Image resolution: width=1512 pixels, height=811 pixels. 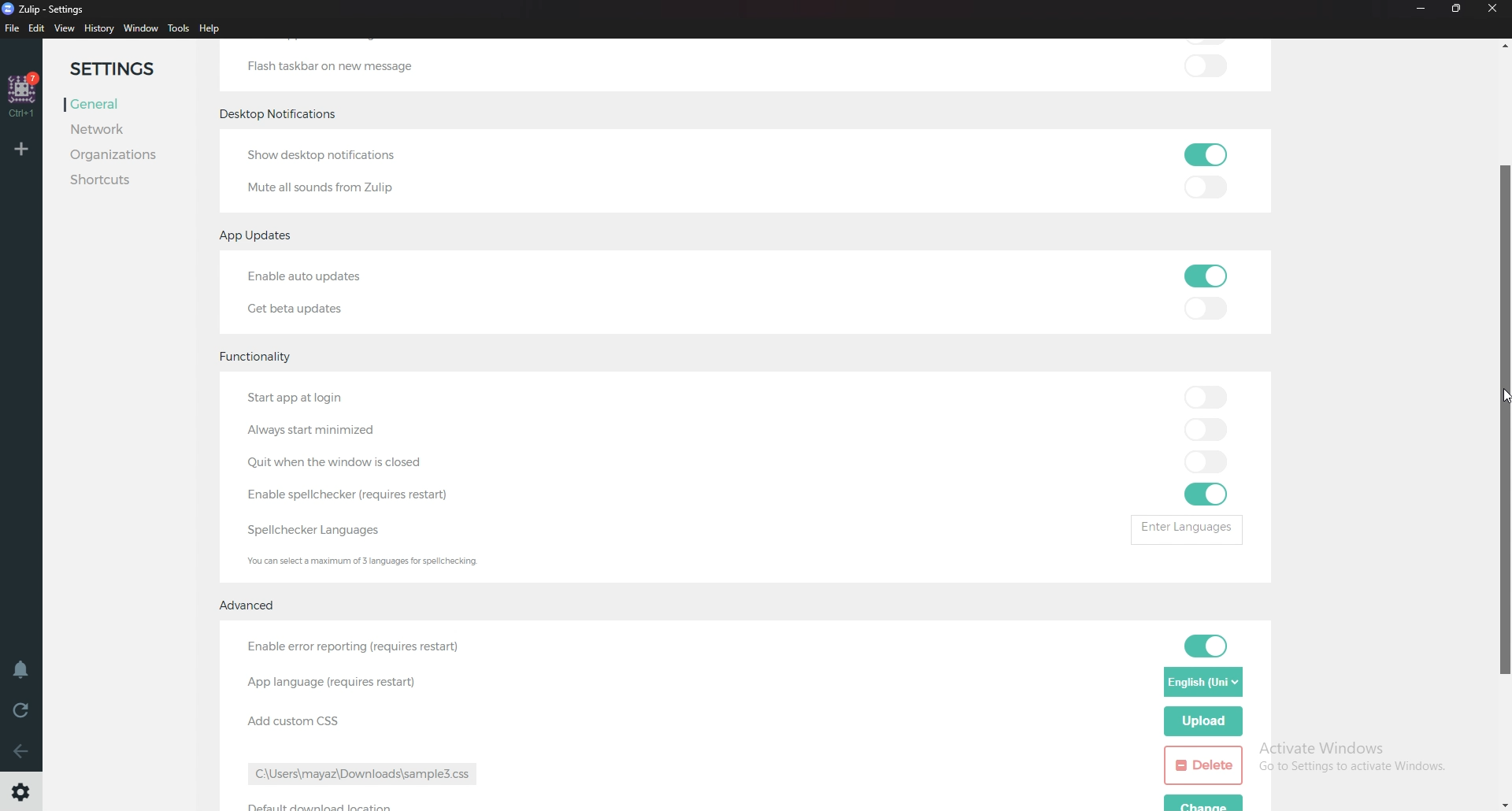 What do you see at coordinates (20, 149) in the screenshot?
I see `Add organization` at bounding box center [20, 149].